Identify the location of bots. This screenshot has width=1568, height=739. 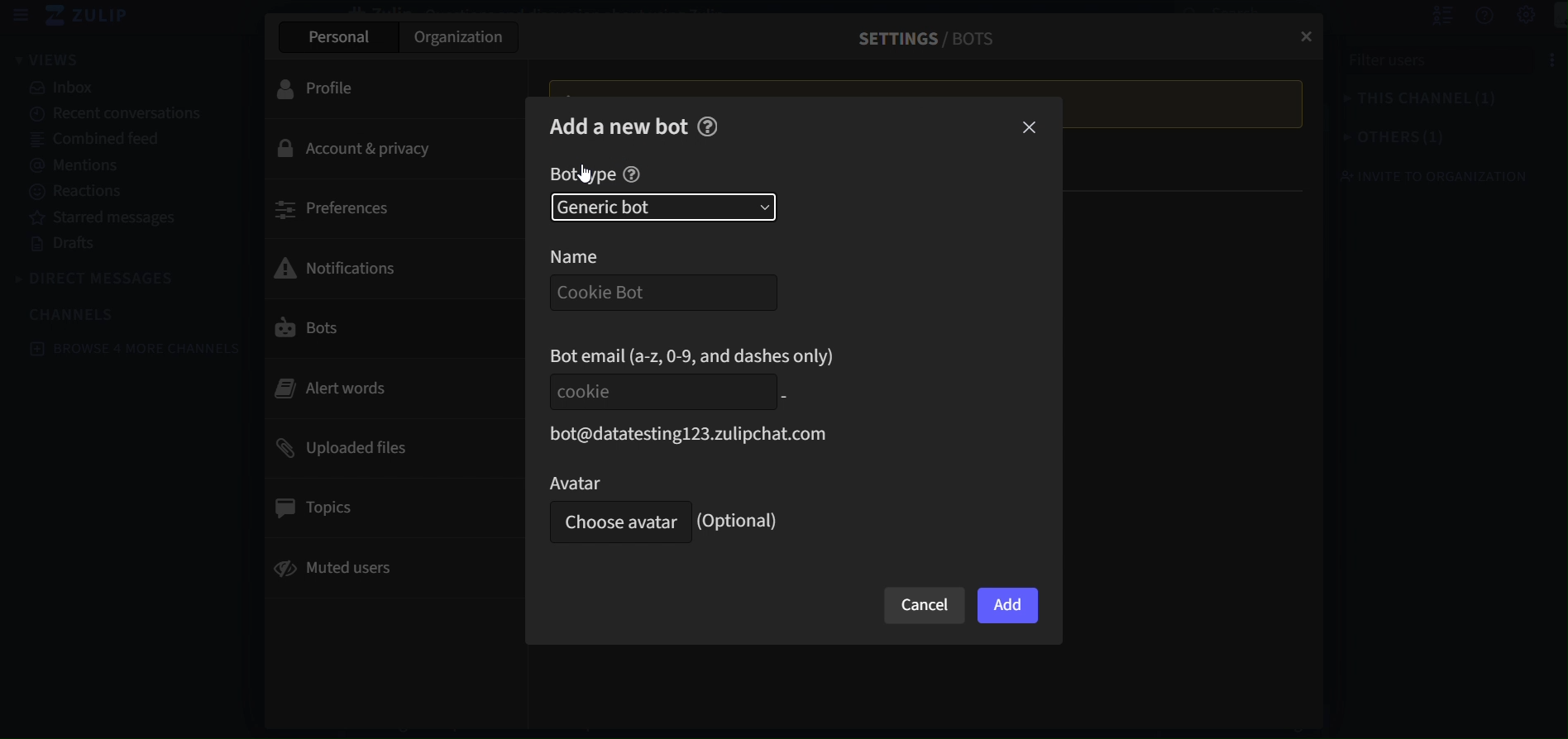
(381, 329).